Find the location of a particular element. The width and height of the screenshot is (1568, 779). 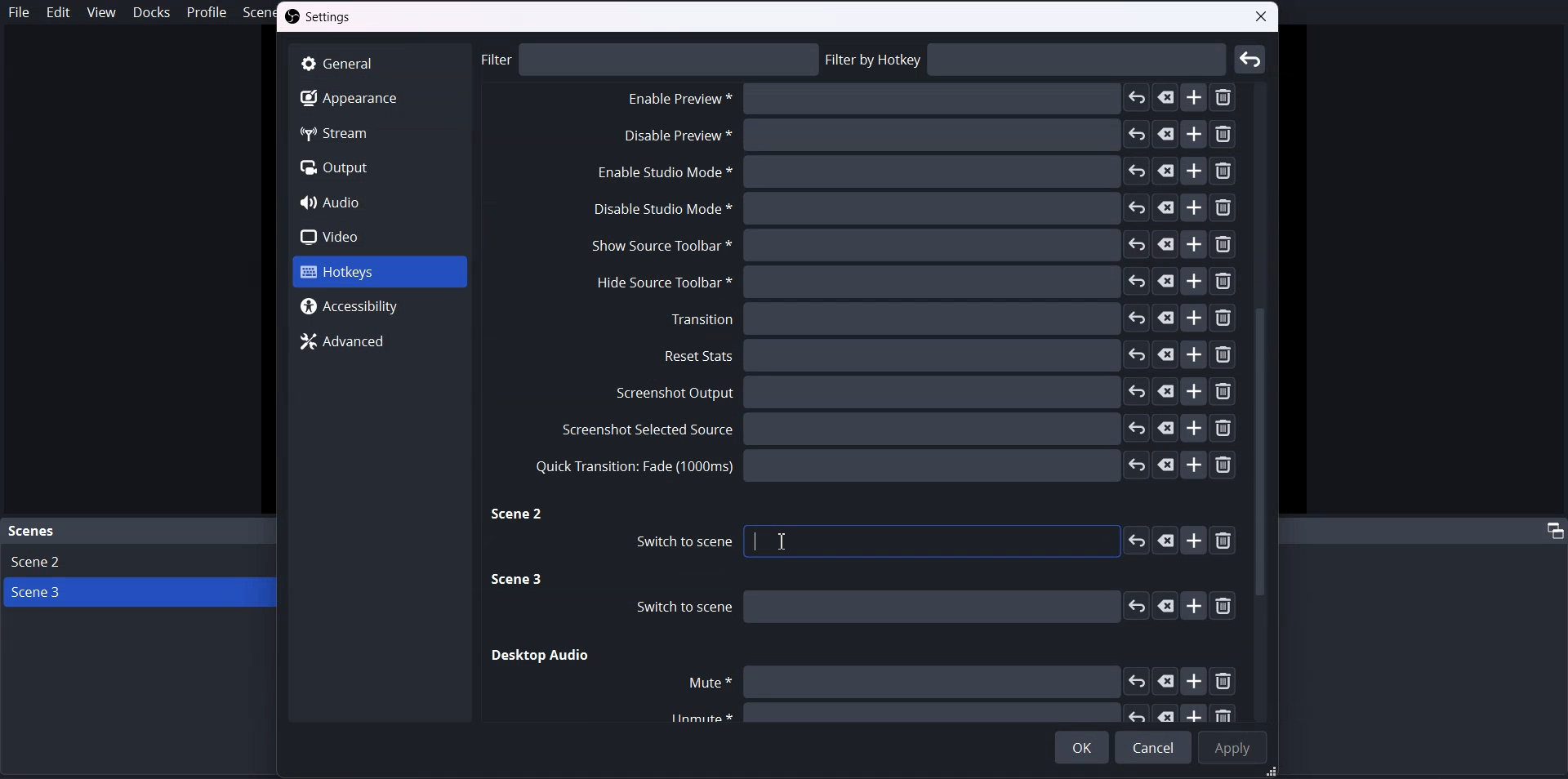

Desktop audio is located at coordinates (541, 656).